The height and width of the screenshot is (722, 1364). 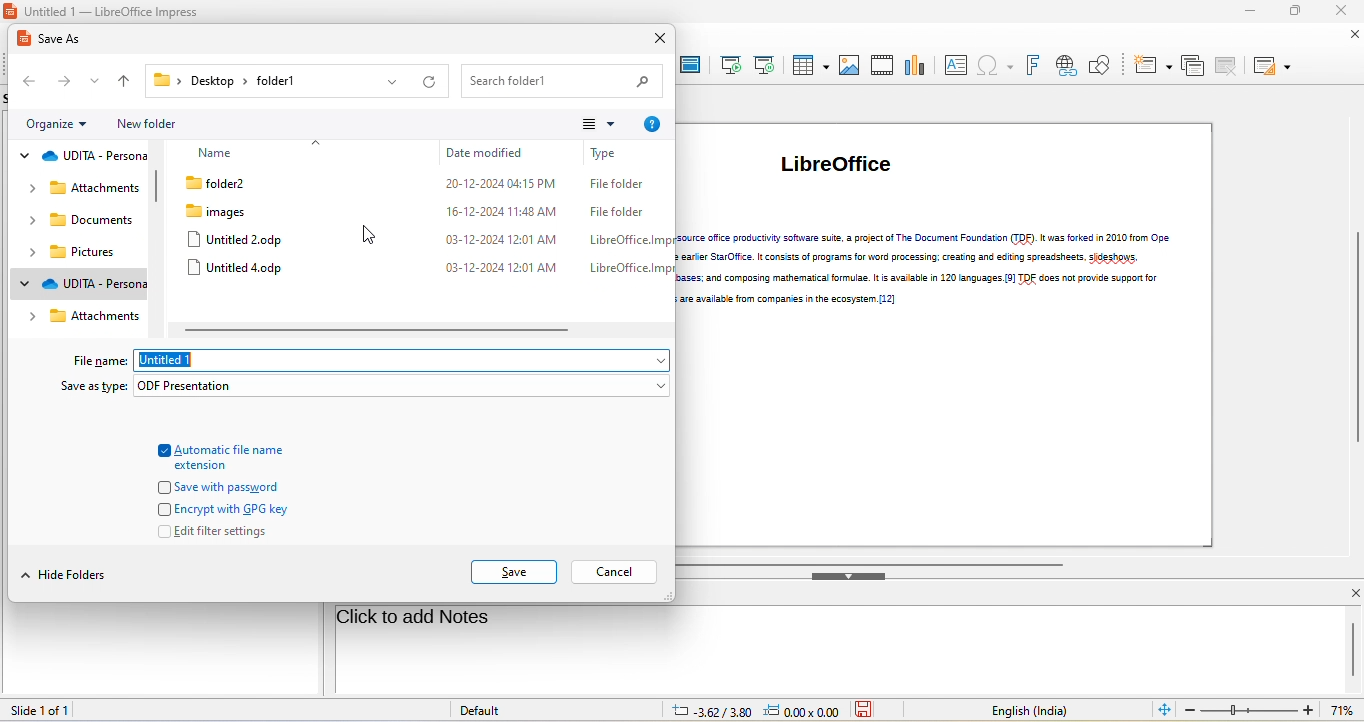 What do you see at coordinates (928, 256) in the screenshot?
I see `i | nOffice.org, an open-sourced version of the earker StarOffice. It consists of programs for word processing: creating and editing spreadsheets. sideshows.` at bounding box center [928, 256].